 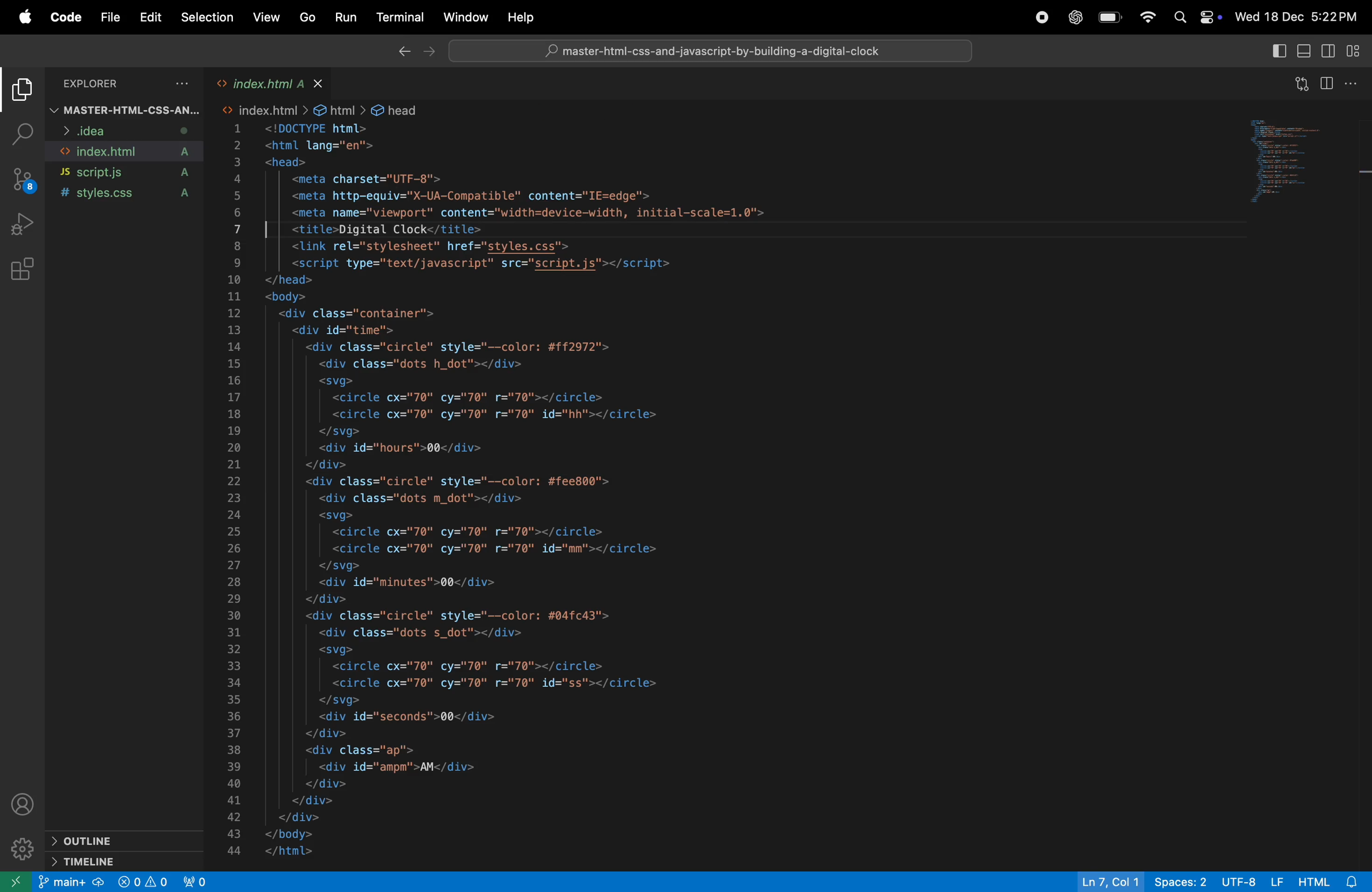 What do you see at coordinates (27, 804) in the screenshot?
I see `profile` at bounding box center [27, 804].